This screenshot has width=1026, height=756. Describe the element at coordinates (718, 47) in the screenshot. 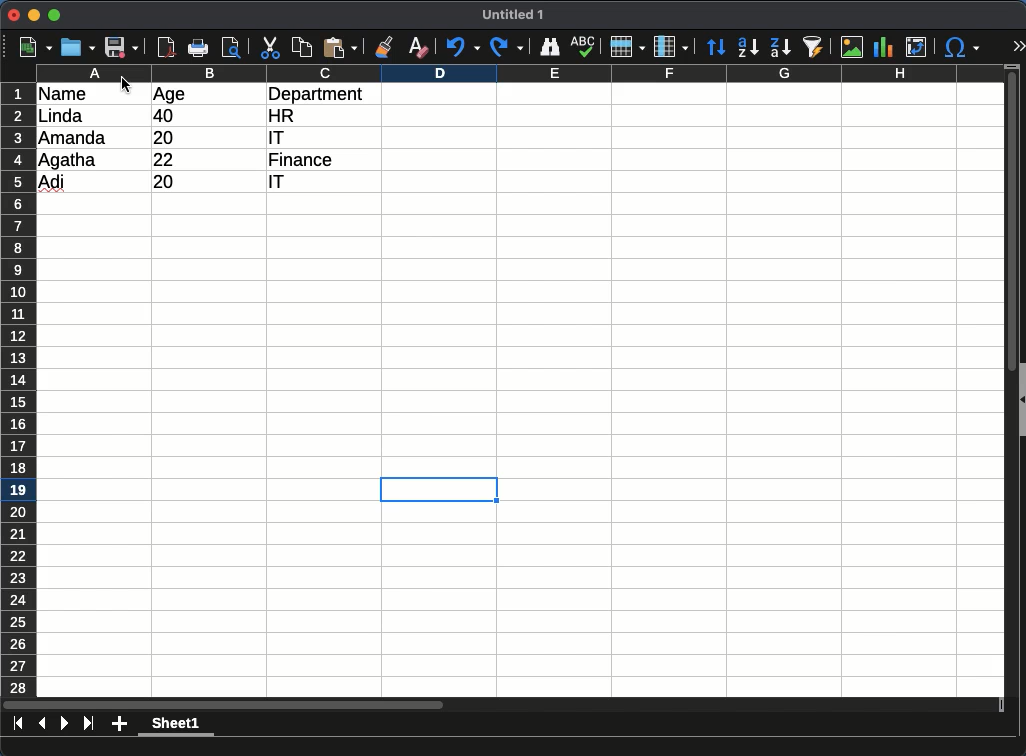

I see `sort` at that location.